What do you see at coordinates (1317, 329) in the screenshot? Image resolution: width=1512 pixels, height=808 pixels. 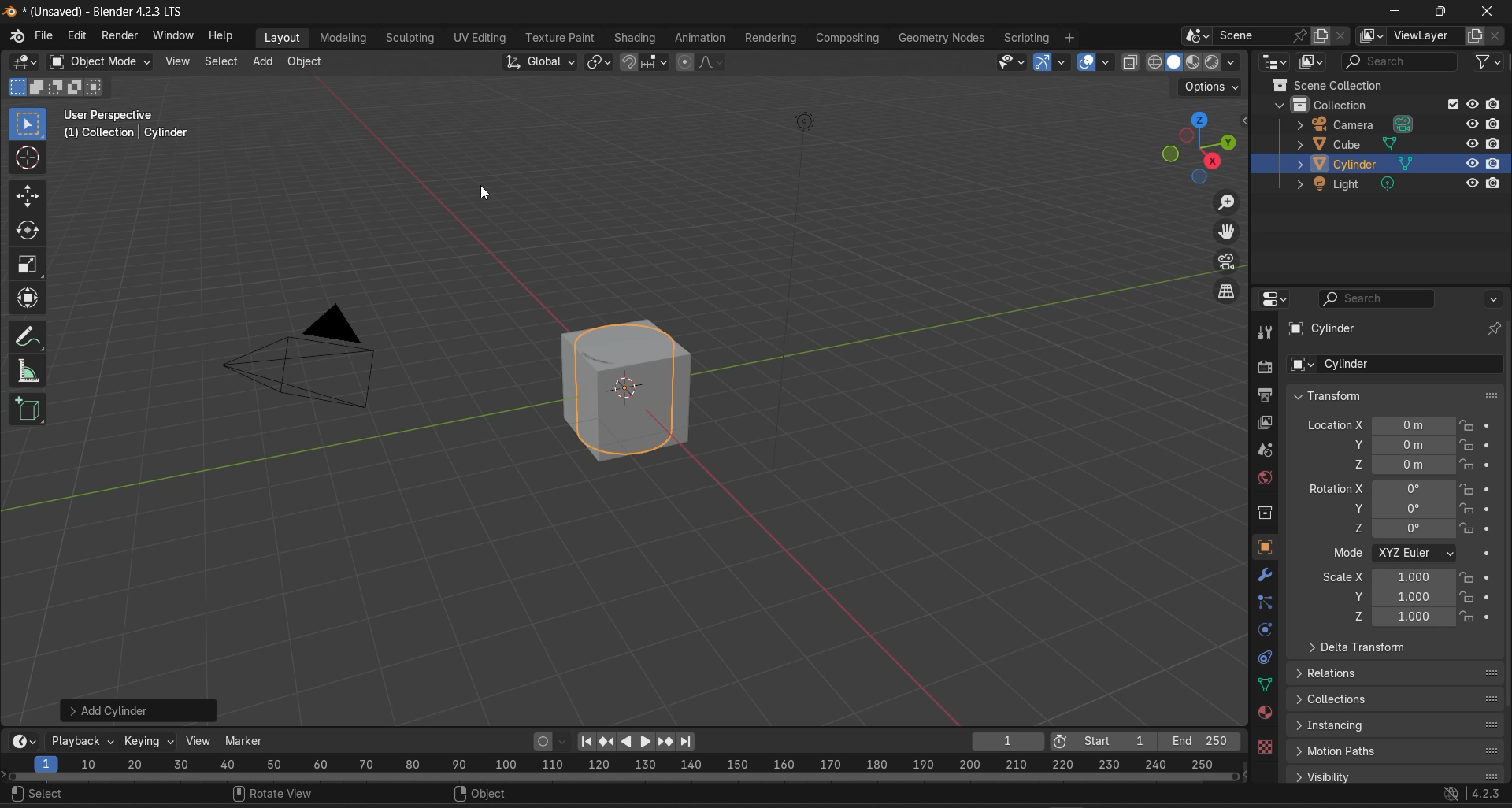 I see `cube` at bounding box center [1317, 329].